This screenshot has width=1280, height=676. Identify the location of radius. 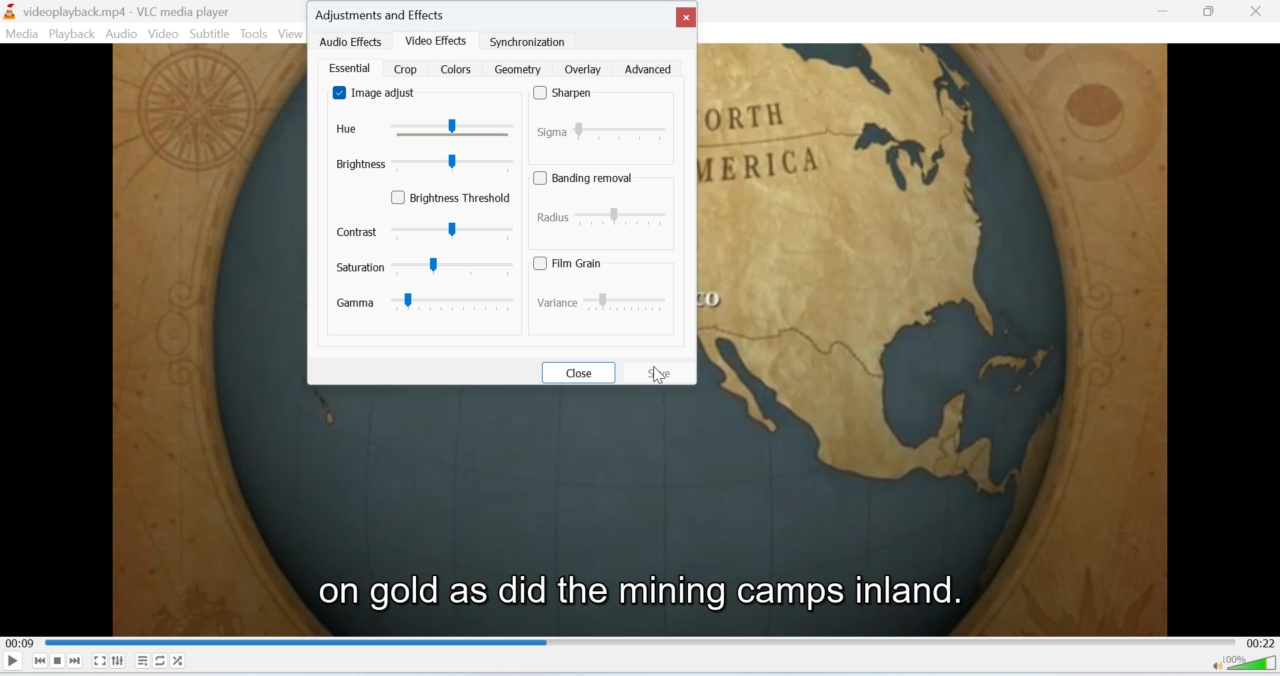
(603, 217).